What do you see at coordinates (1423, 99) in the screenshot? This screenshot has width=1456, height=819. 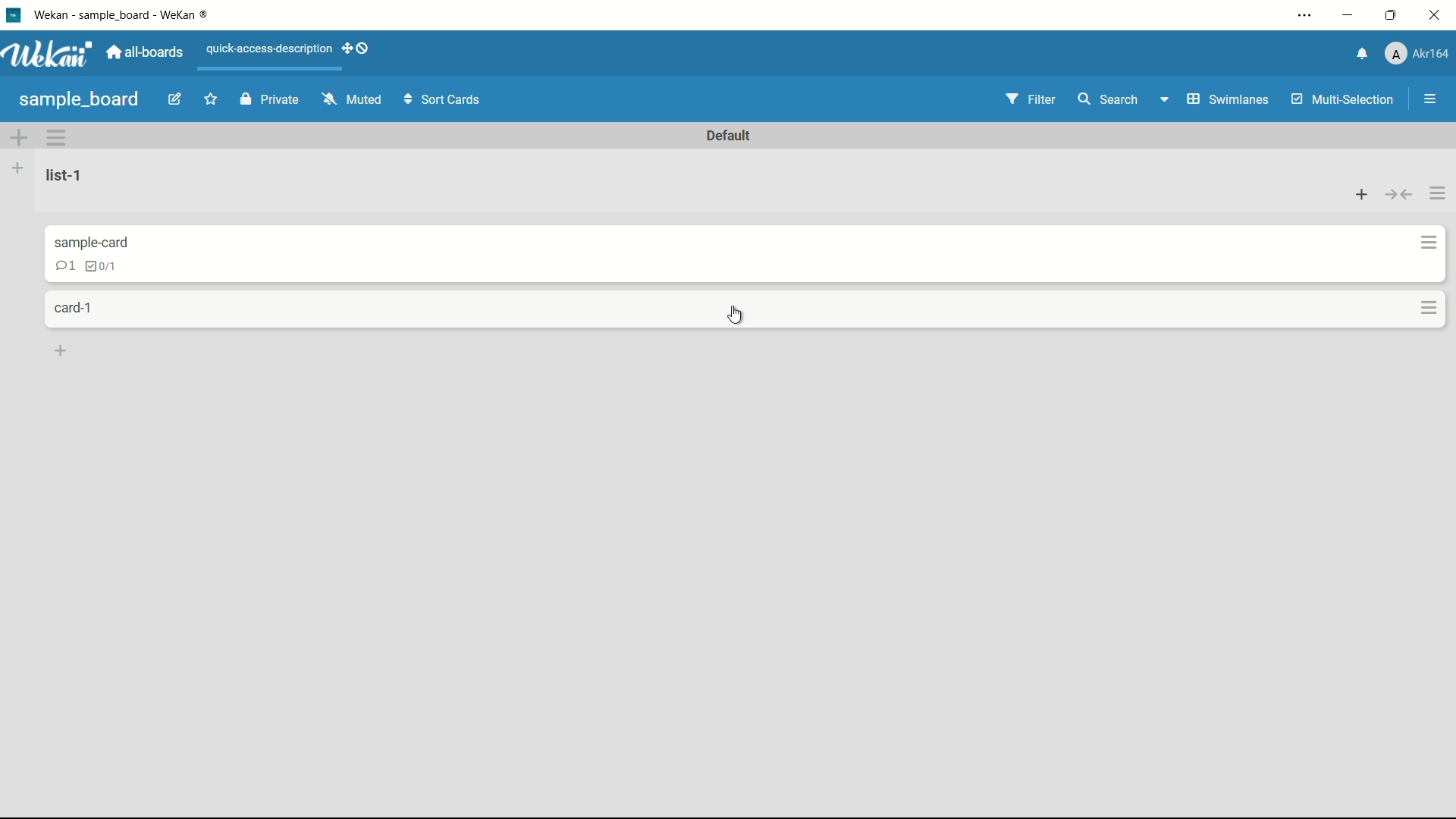 I see `open sidebar` at bounding box center [1423, 99].